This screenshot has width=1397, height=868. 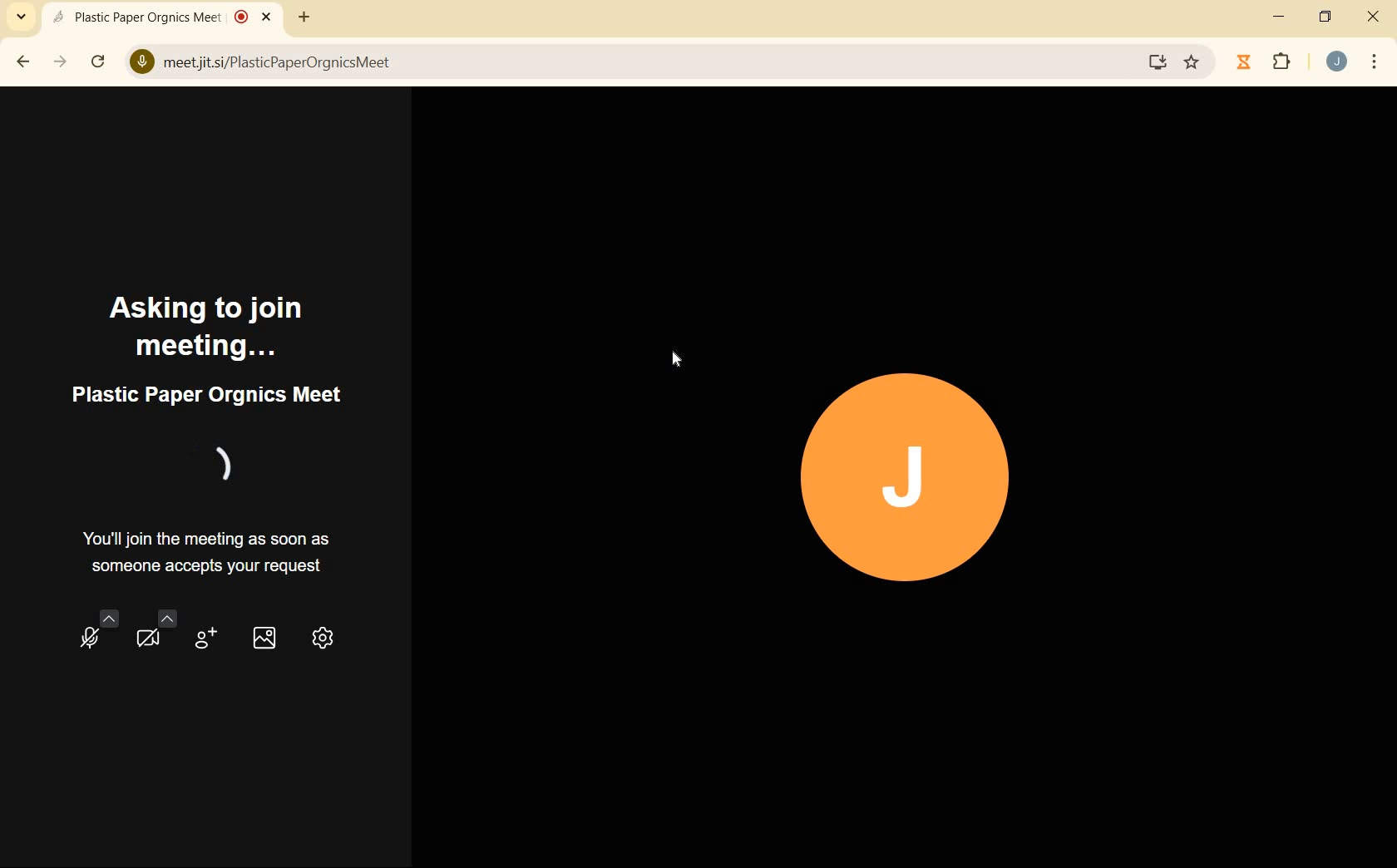 What do you see at coordinates (141, 63) in the screenshot?
I see `View site information` at bounding box center [141, 63].